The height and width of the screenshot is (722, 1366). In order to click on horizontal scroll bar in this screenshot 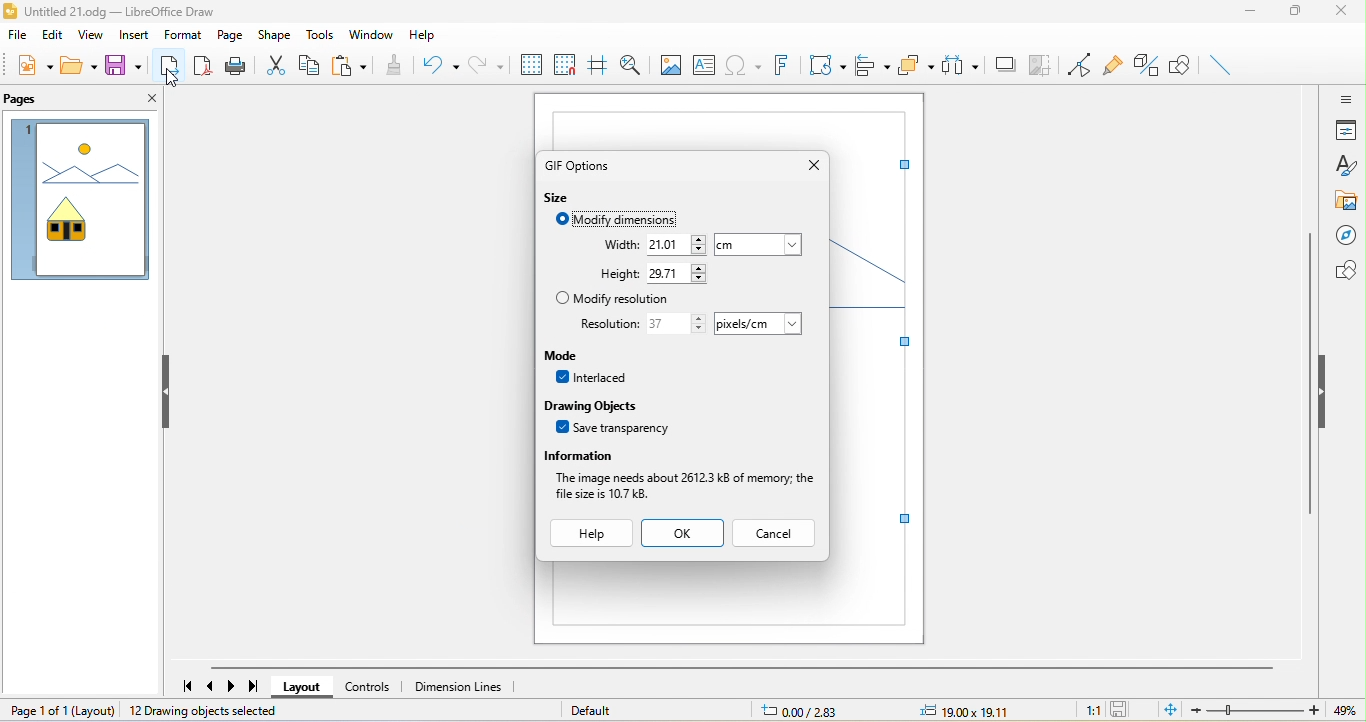, I will do `click(740, 668)`.